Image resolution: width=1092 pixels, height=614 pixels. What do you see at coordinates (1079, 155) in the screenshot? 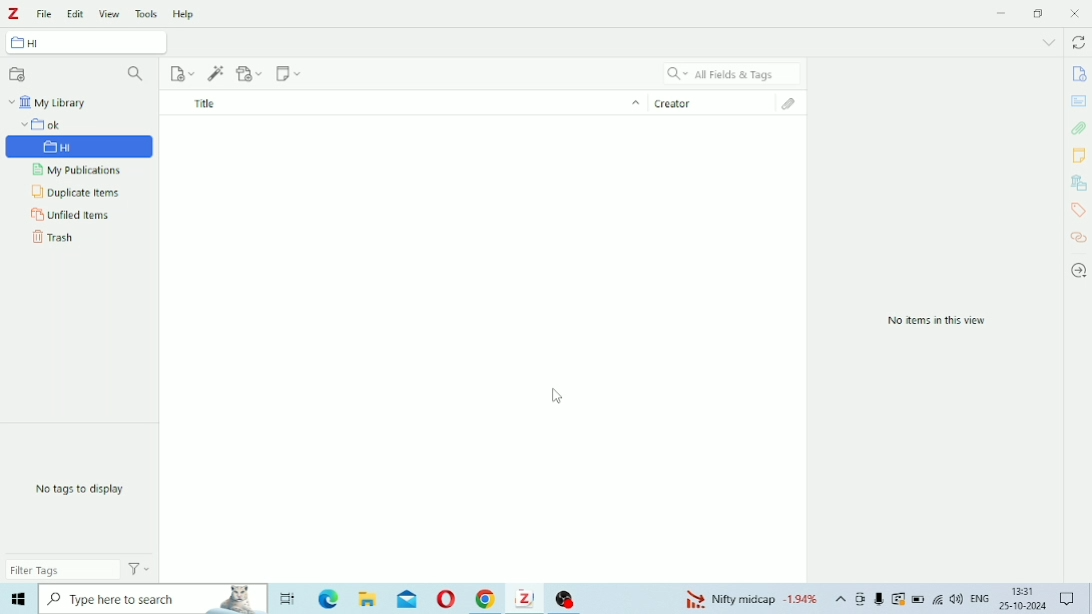
I see `Notes` at bounding box center [1079, 155].